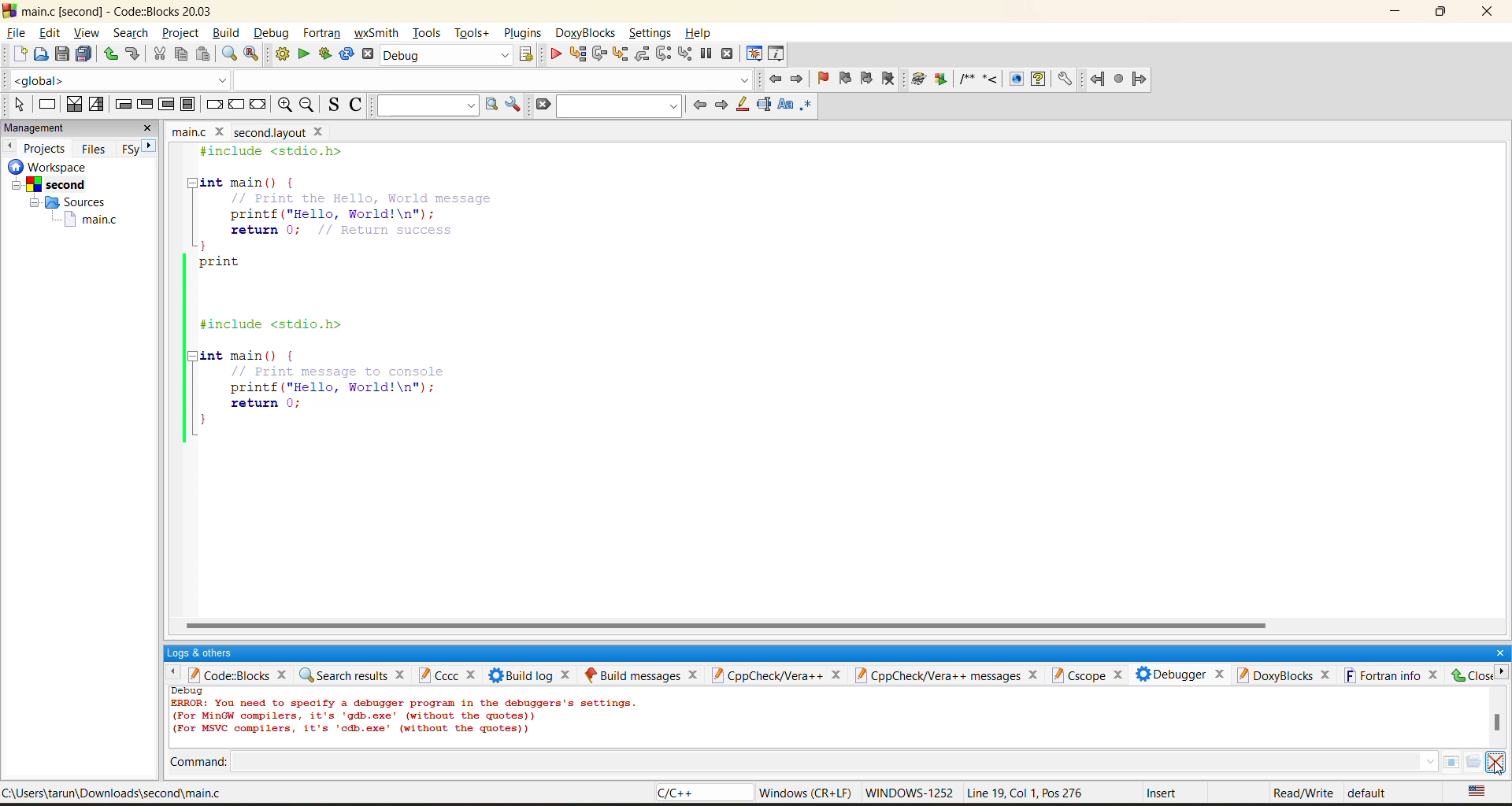  What do you see at coordinates (619, 108) in the screenshot?
I see `search` at bounding box center [619, 108].